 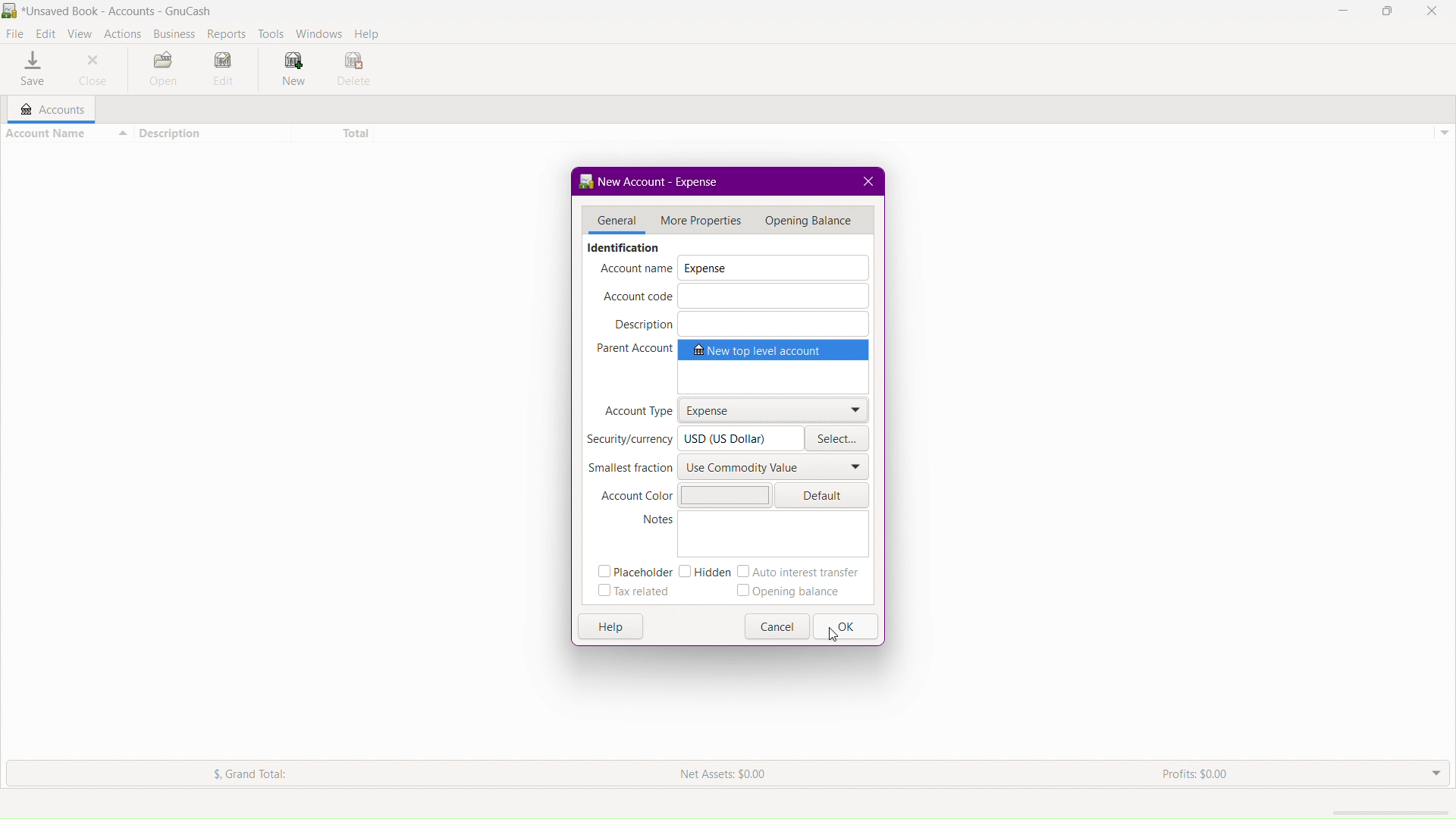 I want to click on Net Assets: $0.00, so click(x=726, y=774).